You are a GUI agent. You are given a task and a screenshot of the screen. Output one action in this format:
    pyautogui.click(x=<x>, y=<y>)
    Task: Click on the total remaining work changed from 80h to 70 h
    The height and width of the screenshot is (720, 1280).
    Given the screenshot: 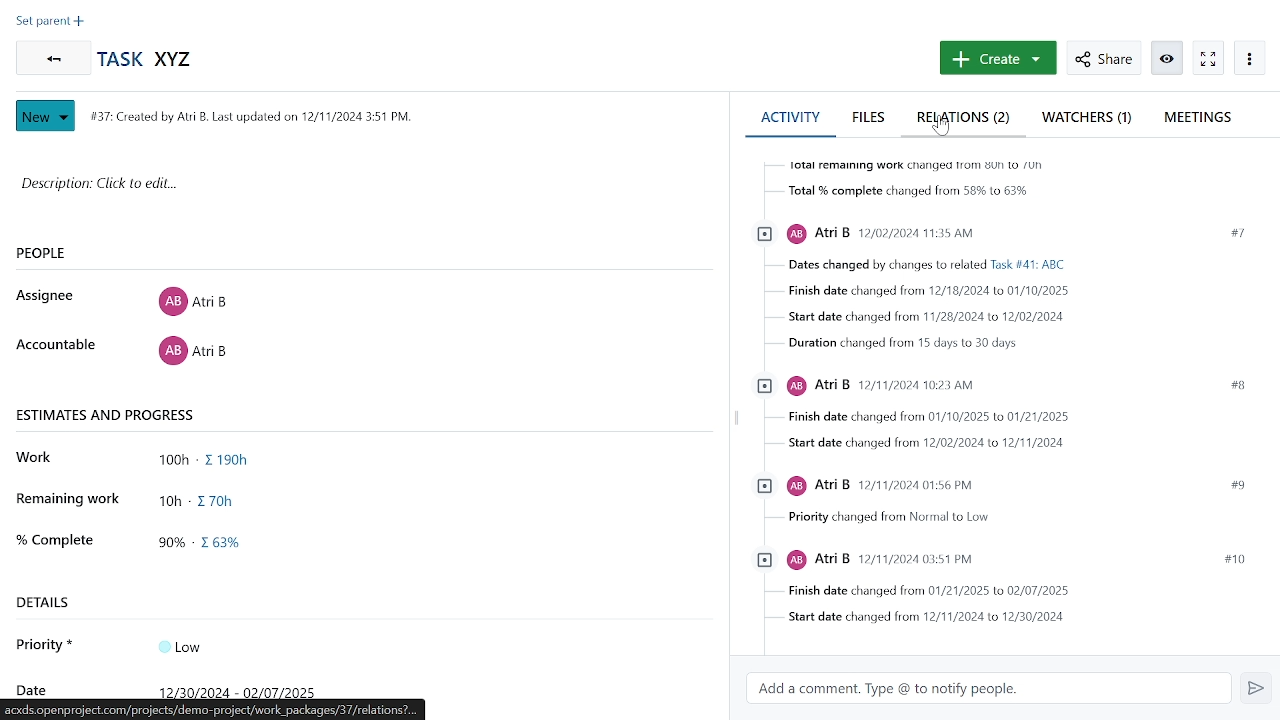 What is the action you would take?
    pyautogui.click(x=900, y=164)
    